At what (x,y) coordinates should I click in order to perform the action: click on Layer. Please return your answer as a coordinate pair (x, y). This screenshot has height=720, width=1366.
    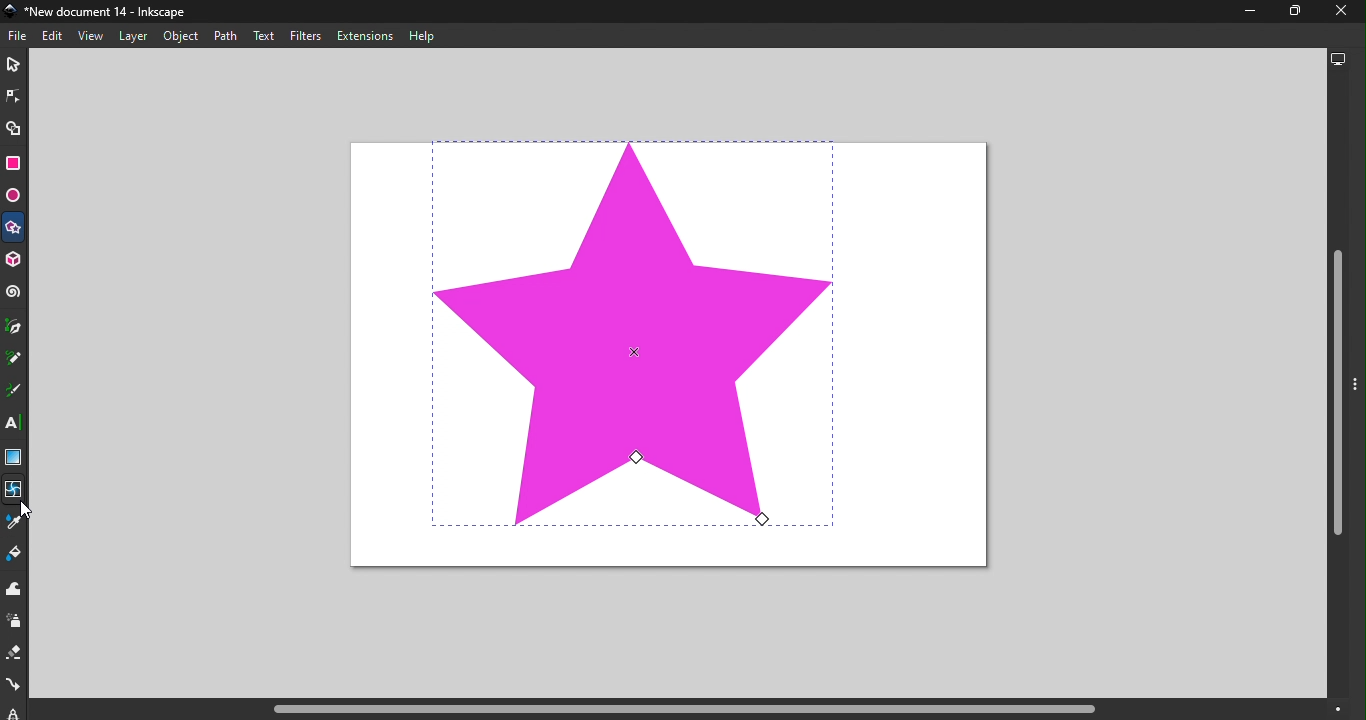
    Looking at the image, I should click on (129, 36).